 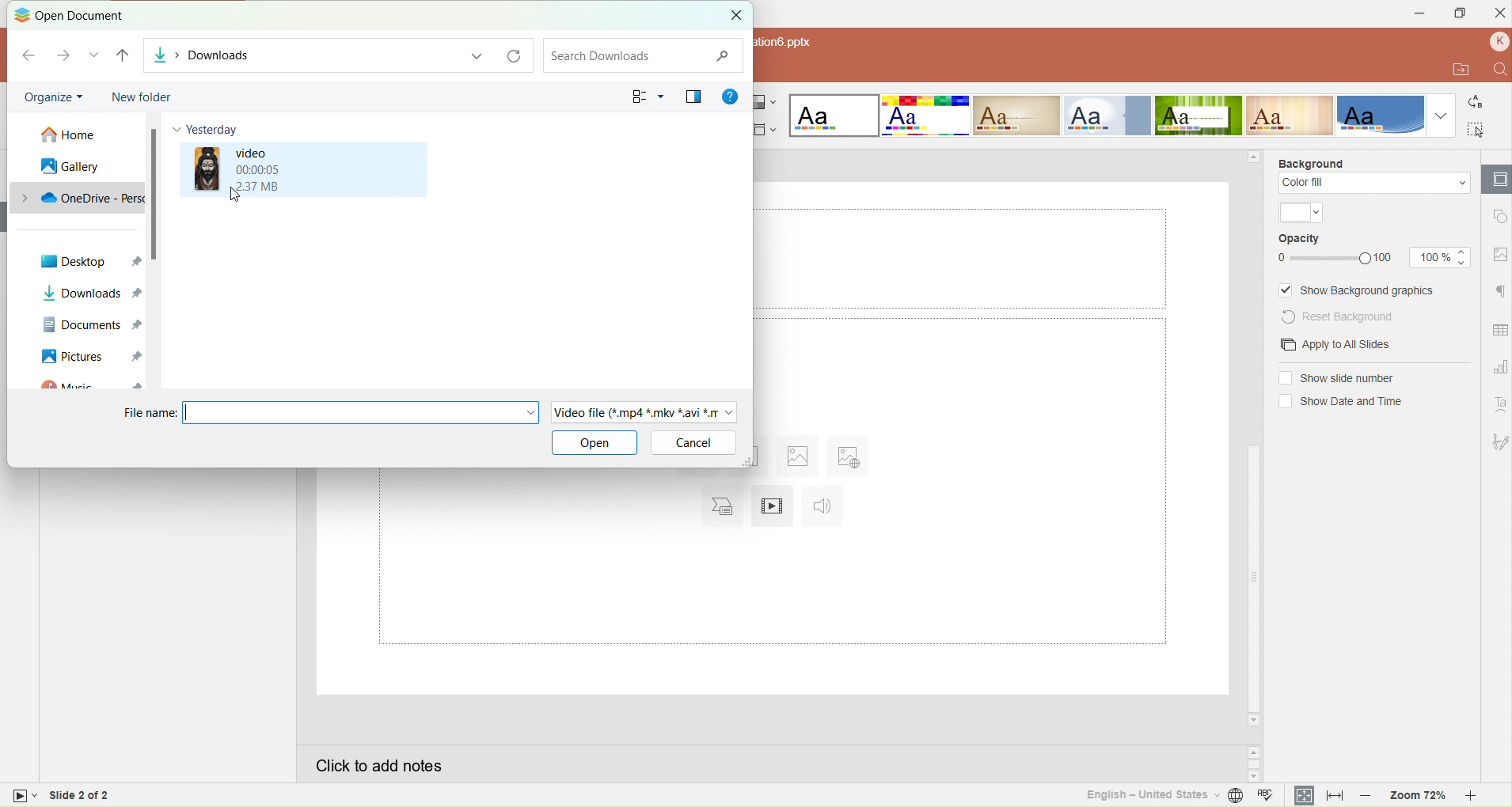 I want to click on Green leaf, so click(x=1199, y=116).